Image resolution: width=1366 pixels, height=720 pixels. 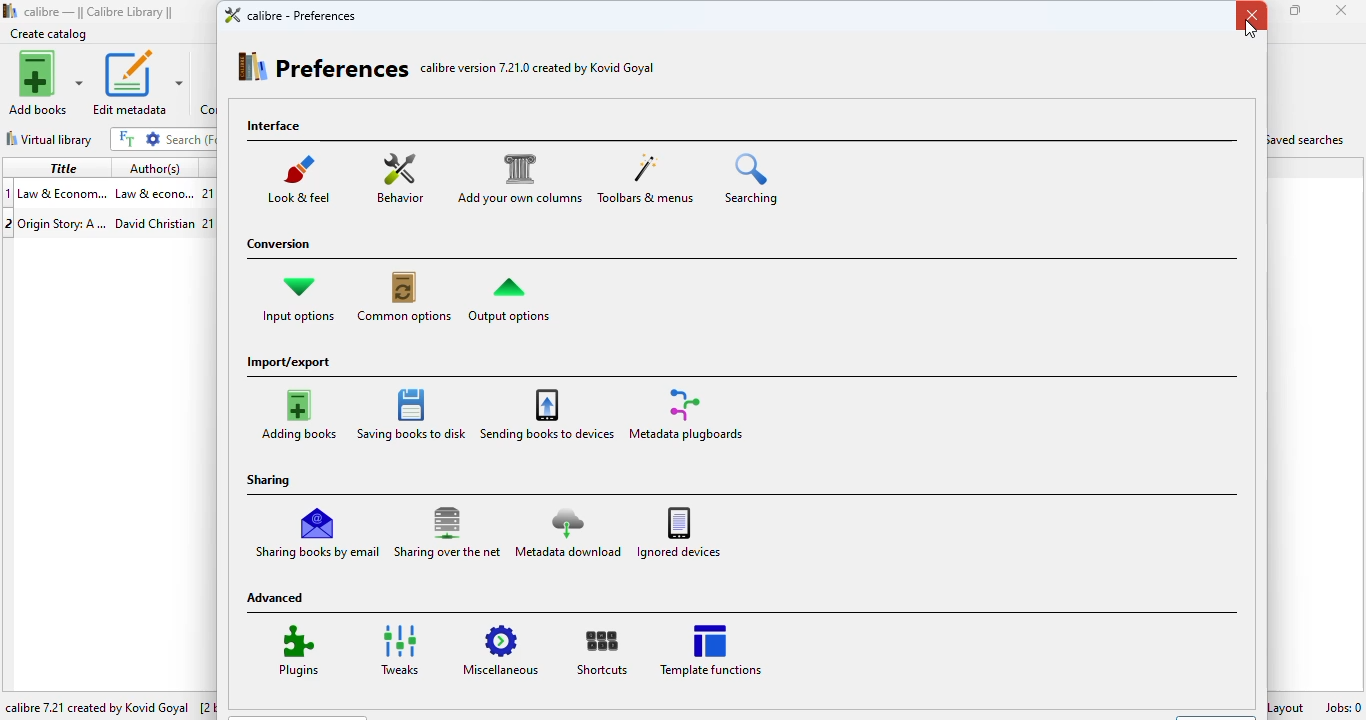 I want to click on cursor, so click(x=1246, y=31).